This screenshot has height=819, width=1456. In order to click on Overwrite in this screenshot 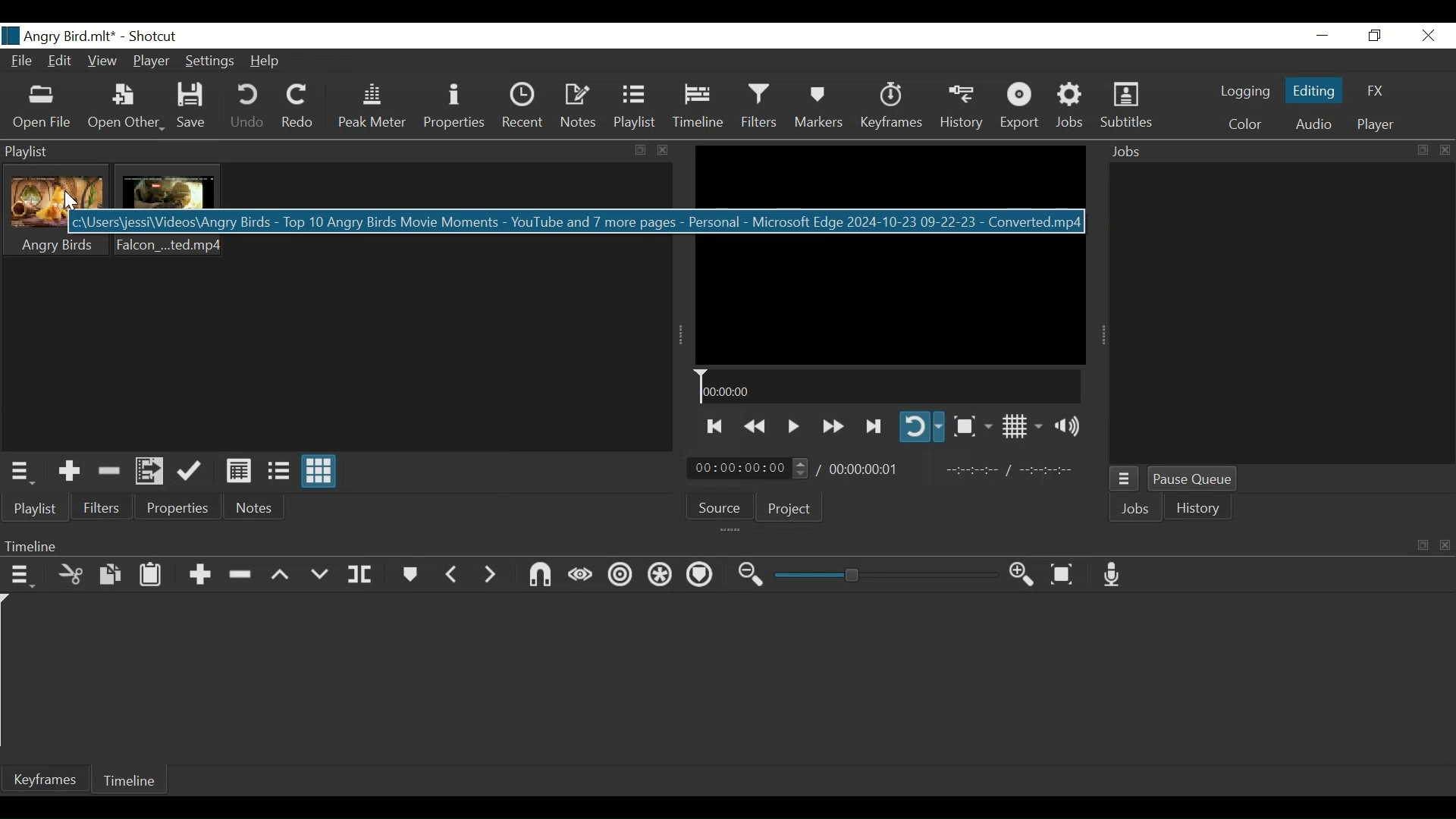, I will do `click(319, 572)`.